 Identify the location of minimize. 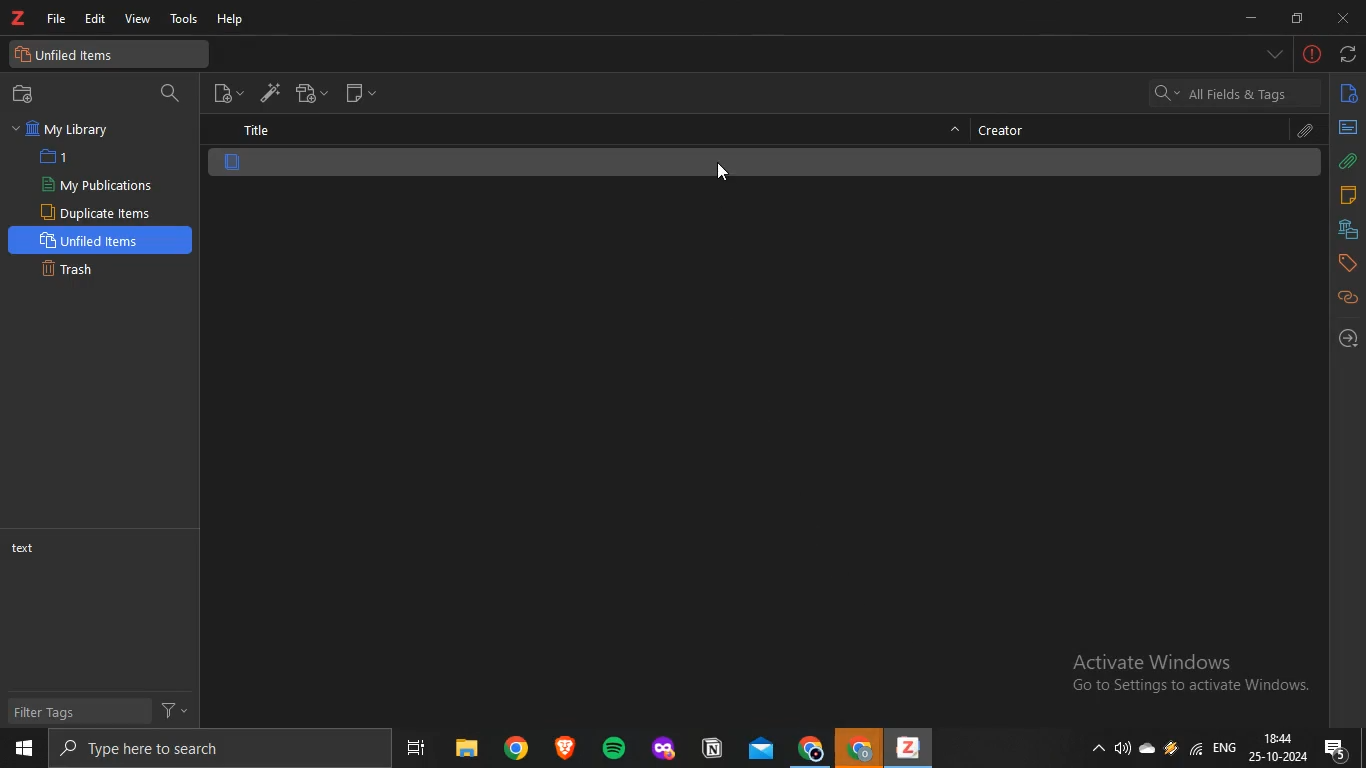
(1250, 18).